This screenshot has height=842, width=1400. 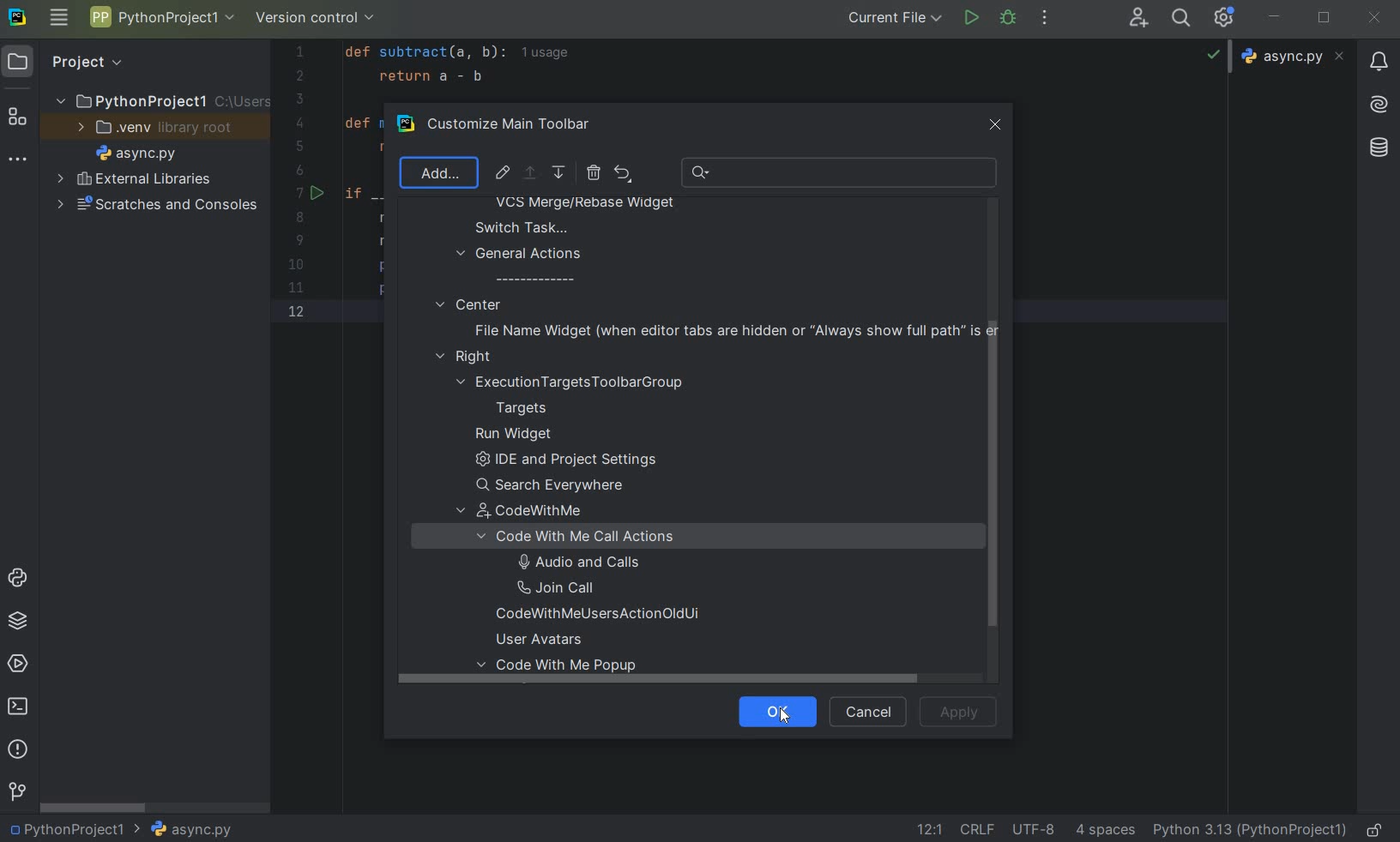 I want to click on join call, so click(x=576, y=588).